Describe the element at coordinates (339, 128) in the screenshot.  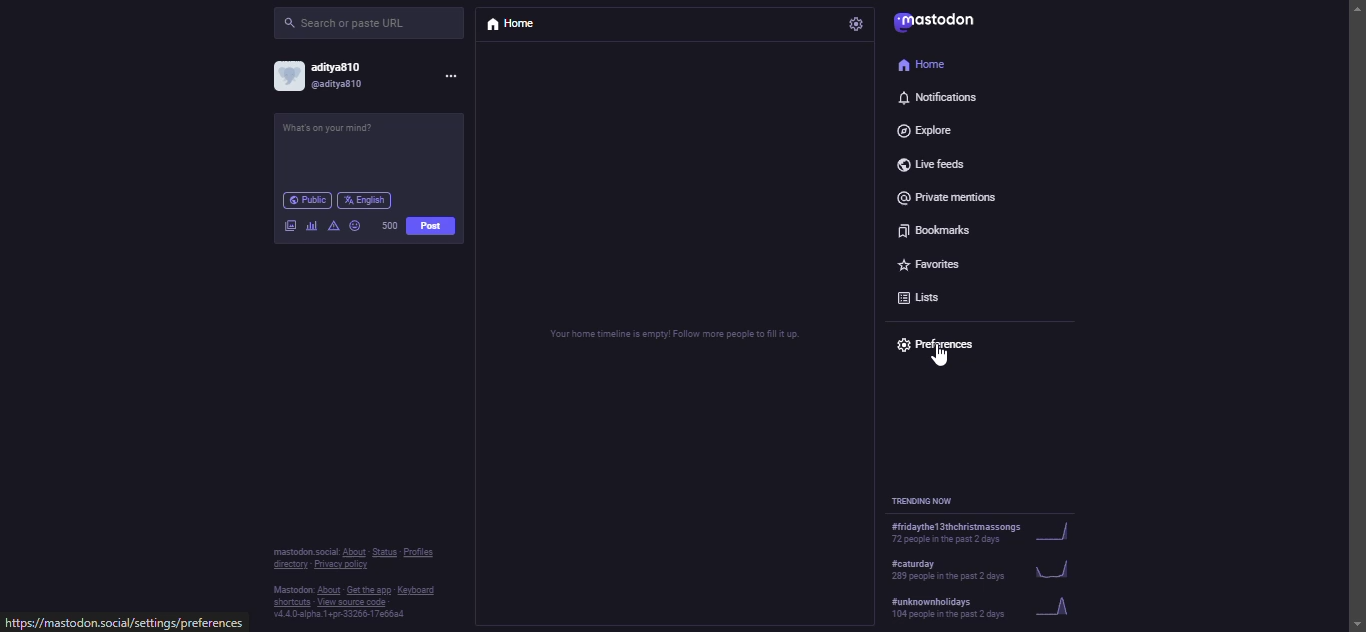
I see `post` at that location.